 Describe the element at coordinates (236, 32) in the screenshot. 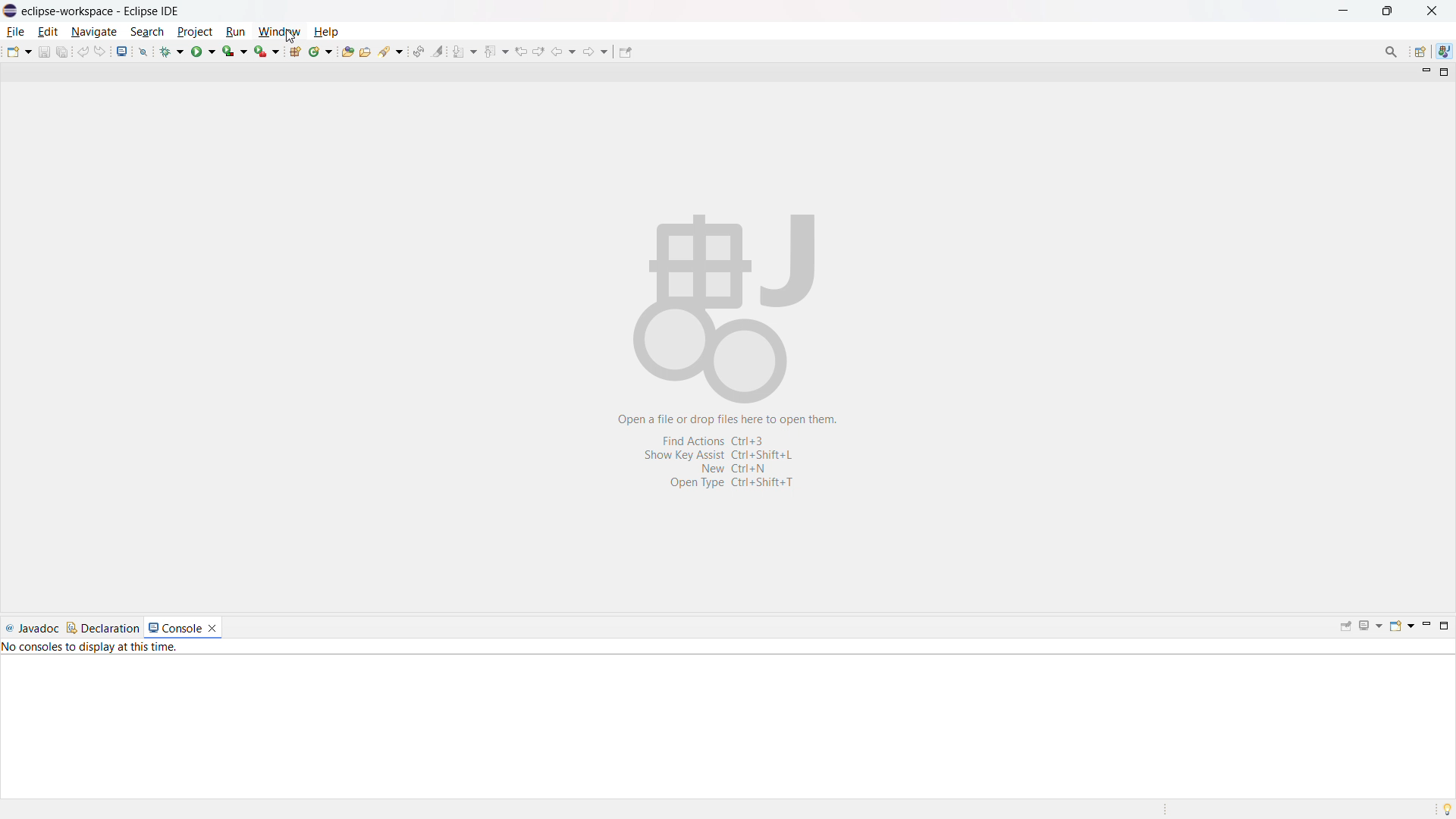

I see `run` at that location.